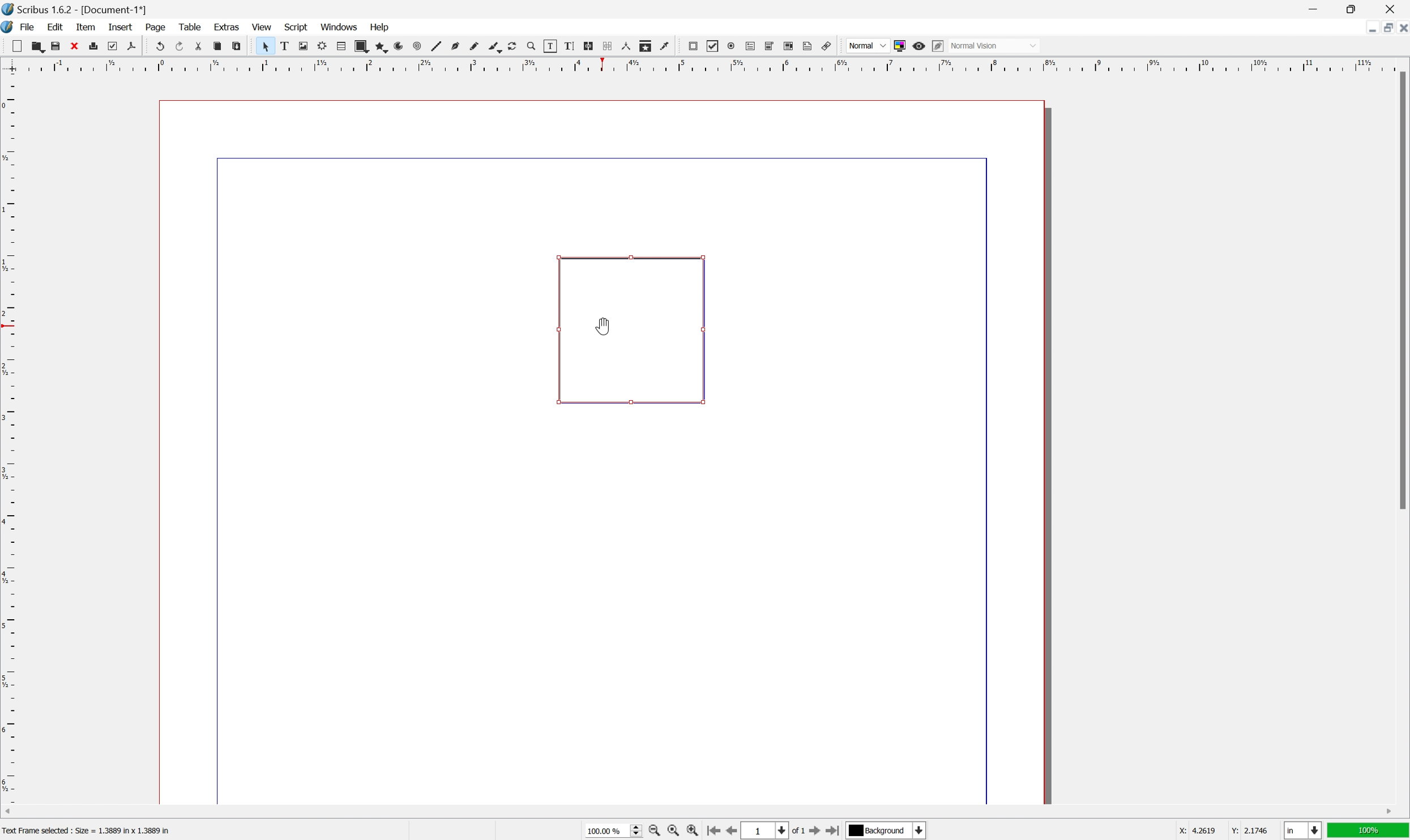 The height and width of the screenshot is (840, 1410). I want to click on preview mode, so click(920, 46).